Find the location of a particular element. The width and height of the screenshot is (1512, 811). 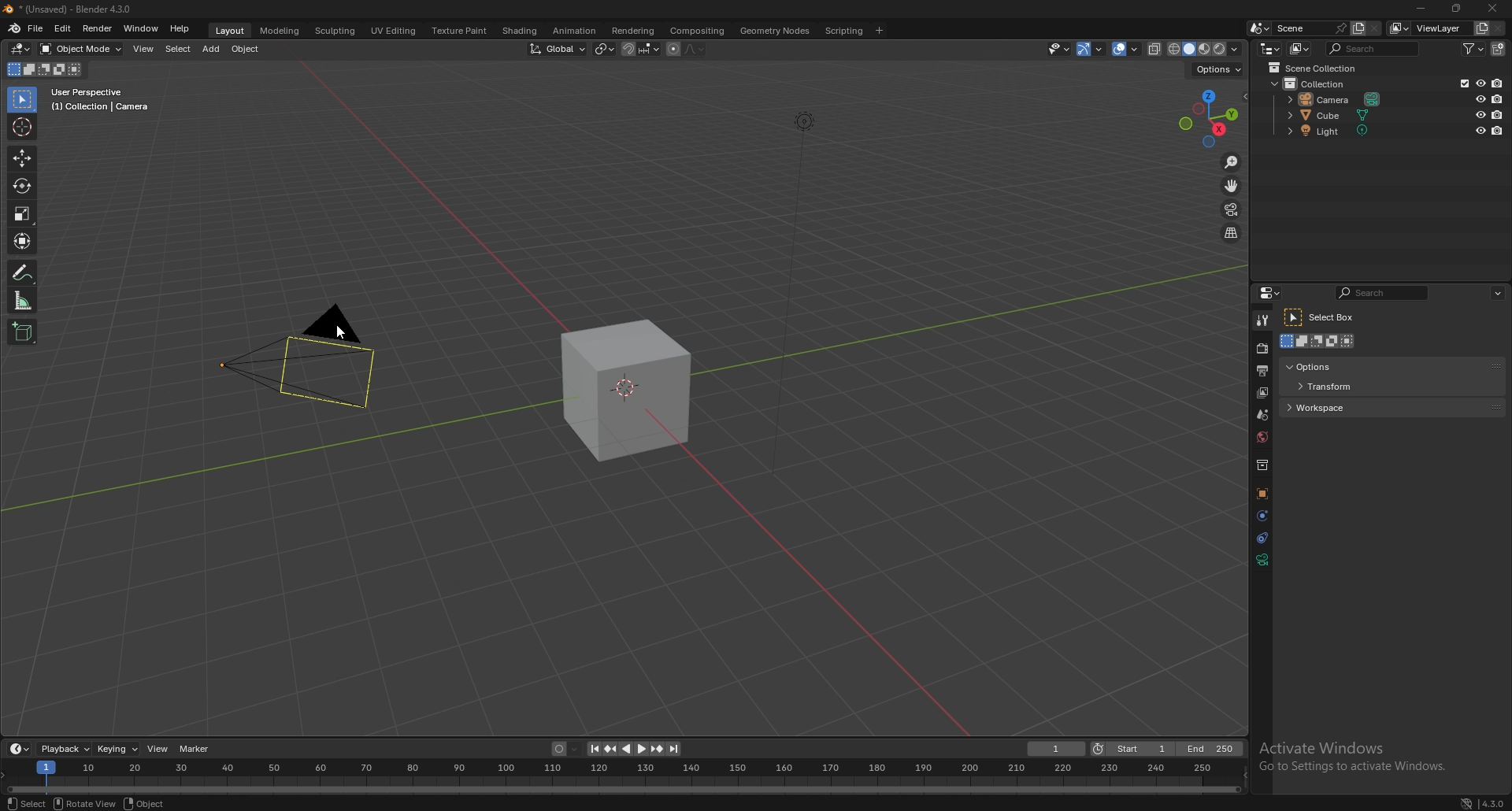

camera view is located at coordinates (1232, 209).